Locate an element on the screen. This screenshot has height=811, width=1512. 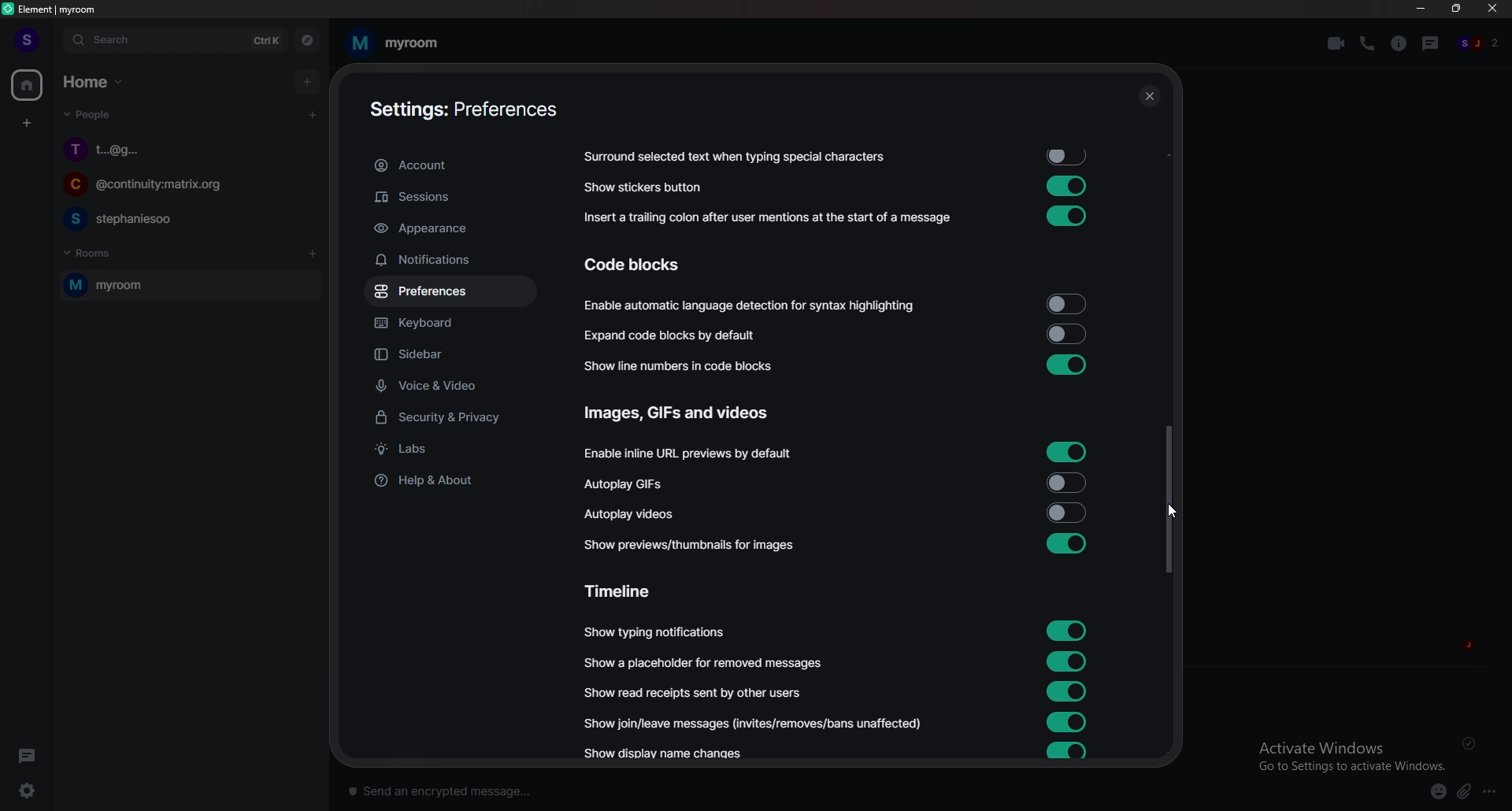
show a placeholder for removed messages is located at coordinates (704, 663).